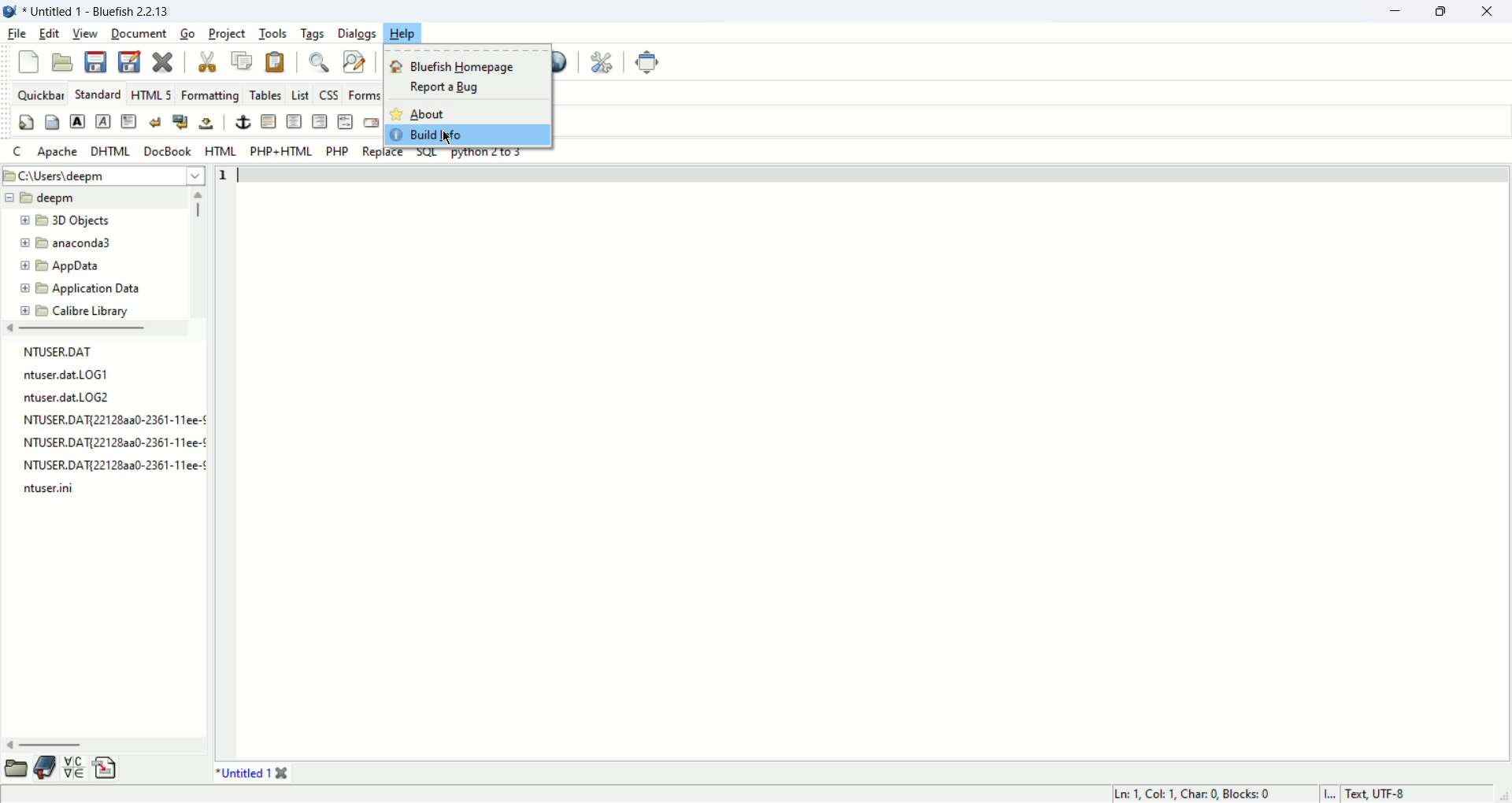 The width and height of the screenshot is (1512, 803). Describe the element at coordinates (354, 62) in the screenshot. I see `find and replace` at that location.